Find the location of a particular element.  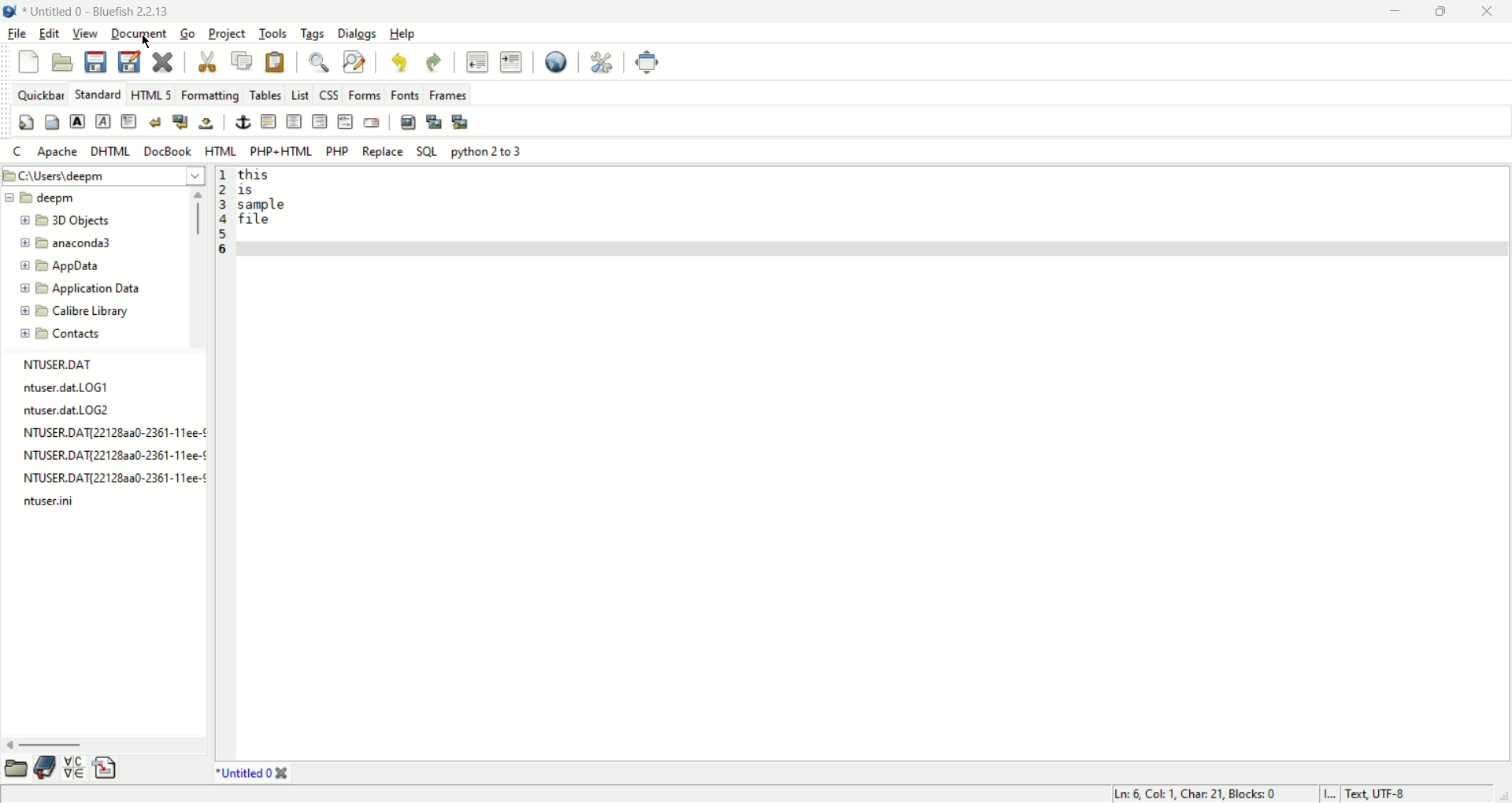

workspace is located at coordinates (872, 464).